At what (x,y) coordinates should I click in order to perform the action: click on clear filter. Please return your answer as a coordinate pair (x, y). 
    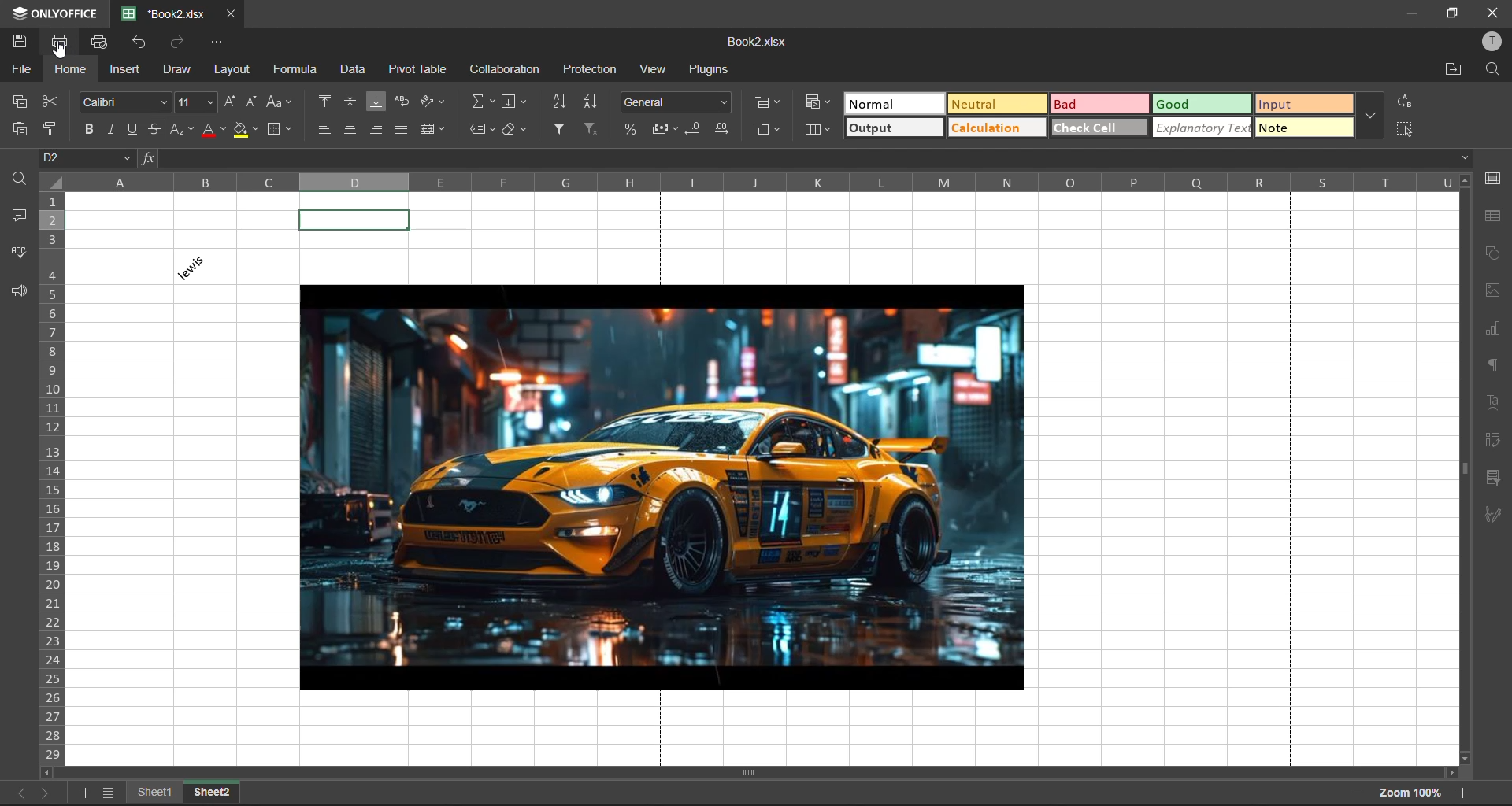
    Looking at the image, I should click on (591, 126).